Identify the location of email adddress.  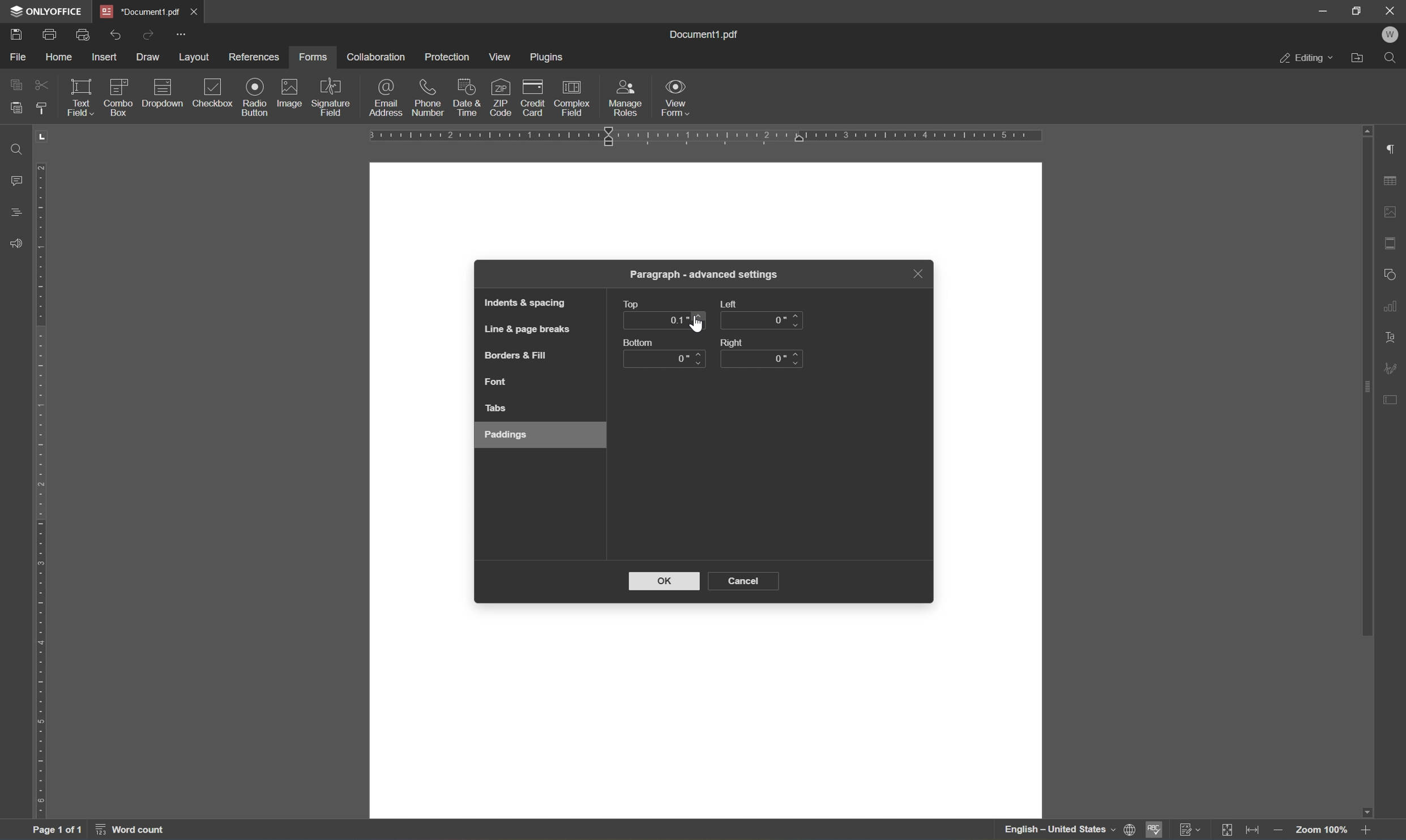
(385, 97).